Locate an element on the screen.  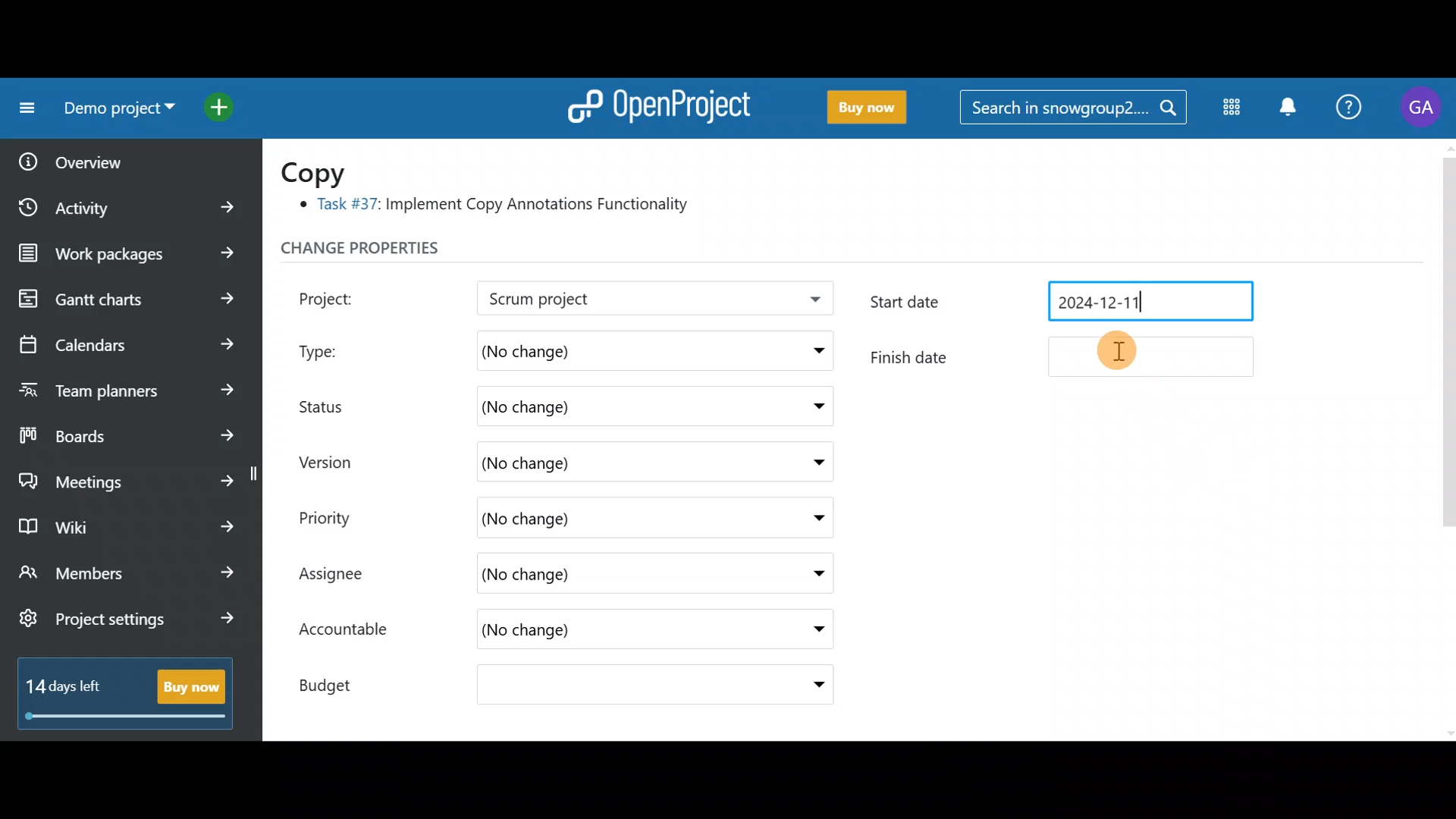
Overview is located at coordinates (115, 157).